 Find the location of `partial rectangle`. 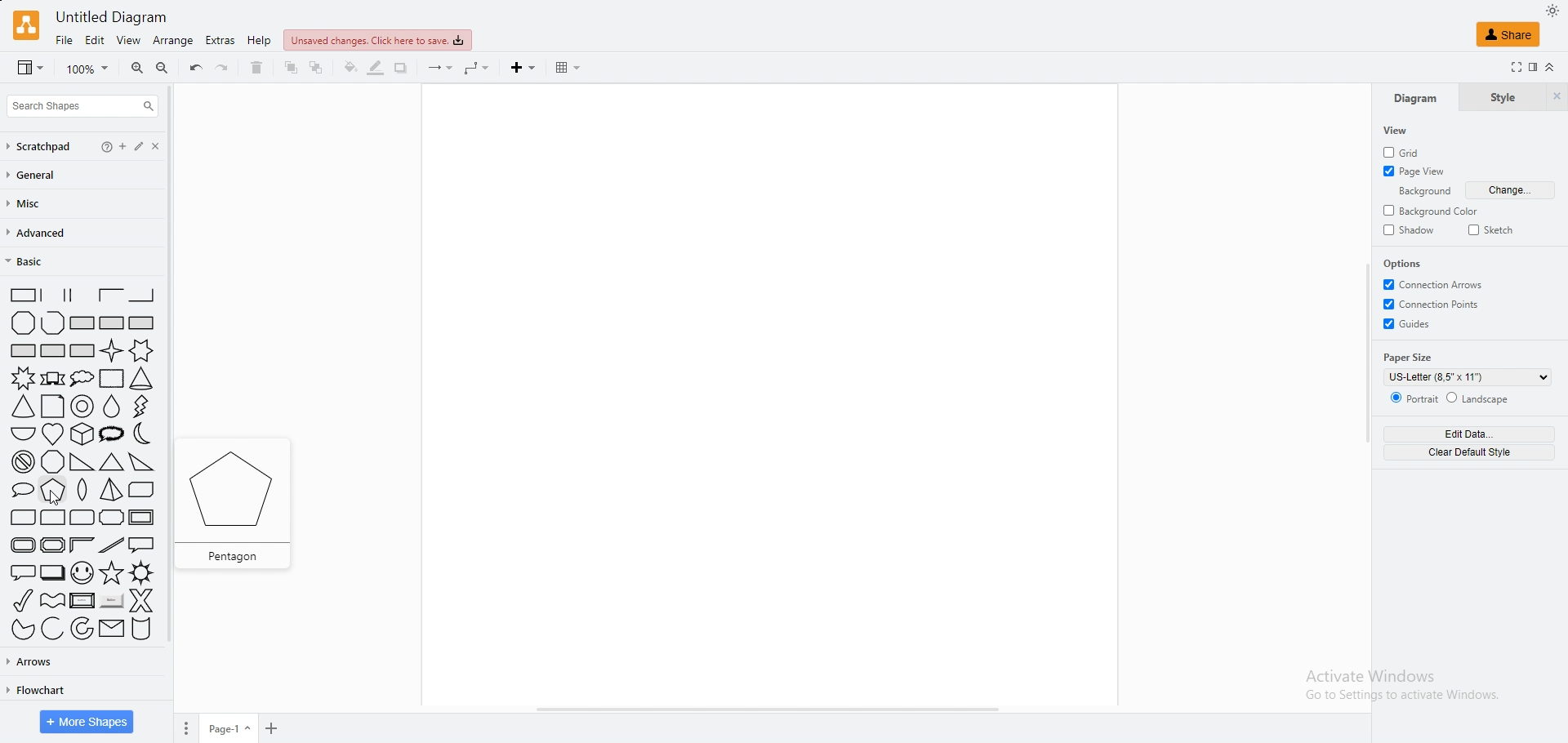

partial rectangle is located at coordinates (79, 295).